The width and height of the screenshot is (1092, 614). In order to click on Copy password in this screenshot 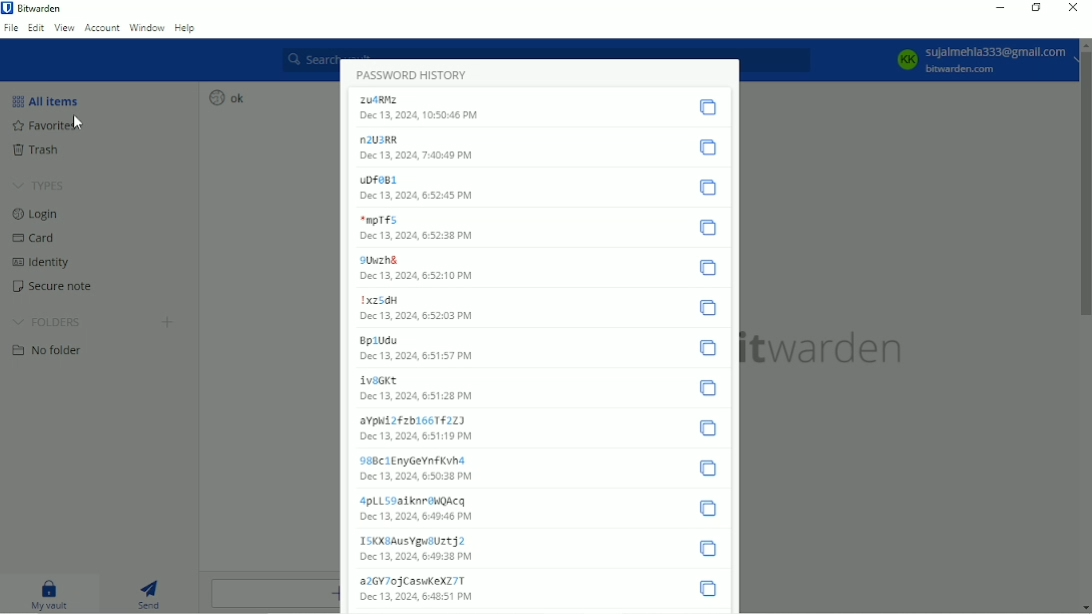, I will do `click(709, 268)`.